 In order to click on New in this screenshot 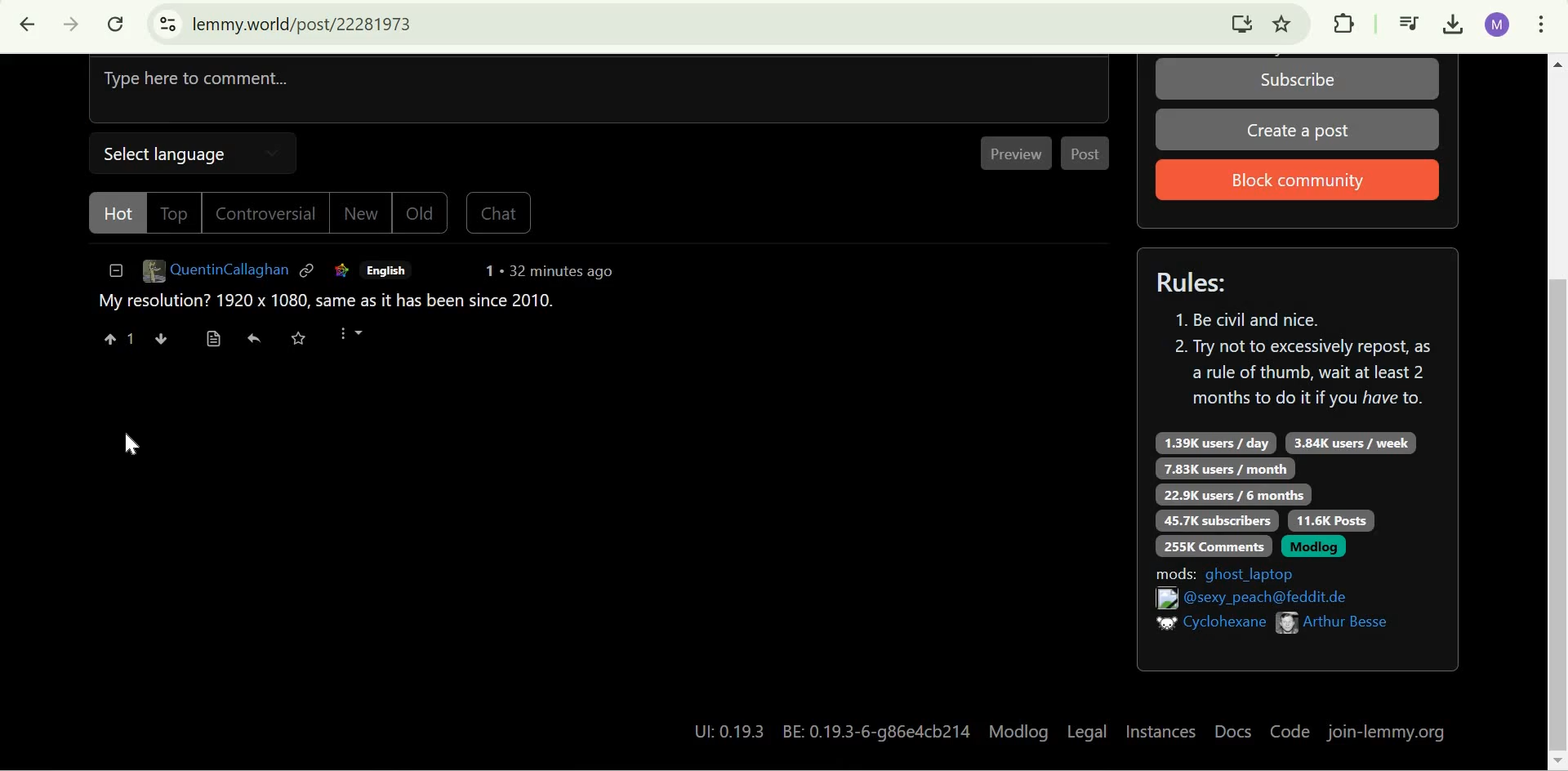, I will do `click(352, 215)`.